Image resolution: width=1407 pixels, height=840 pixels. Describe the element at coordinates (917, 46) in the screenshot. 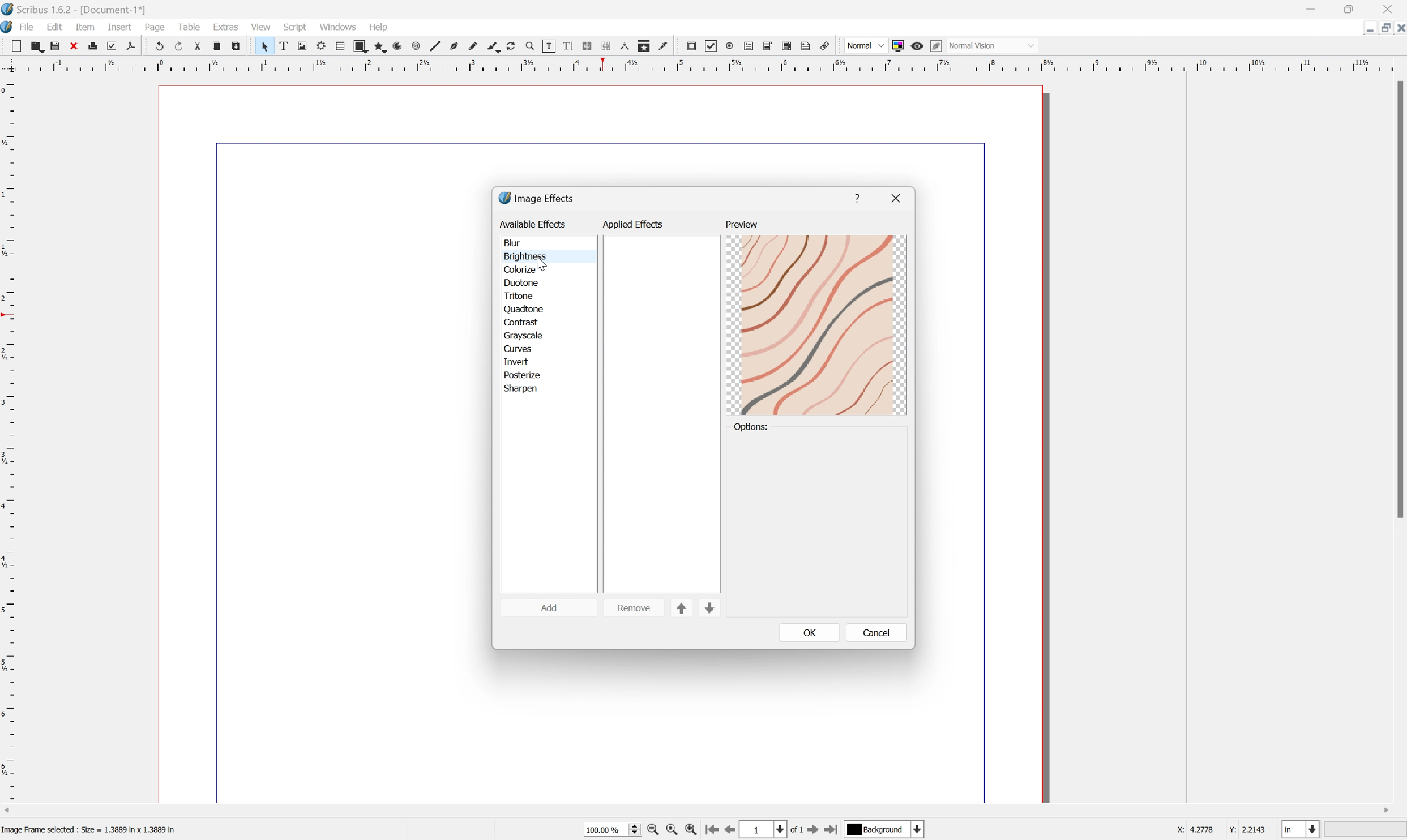

I see `Preview mode` at that location.